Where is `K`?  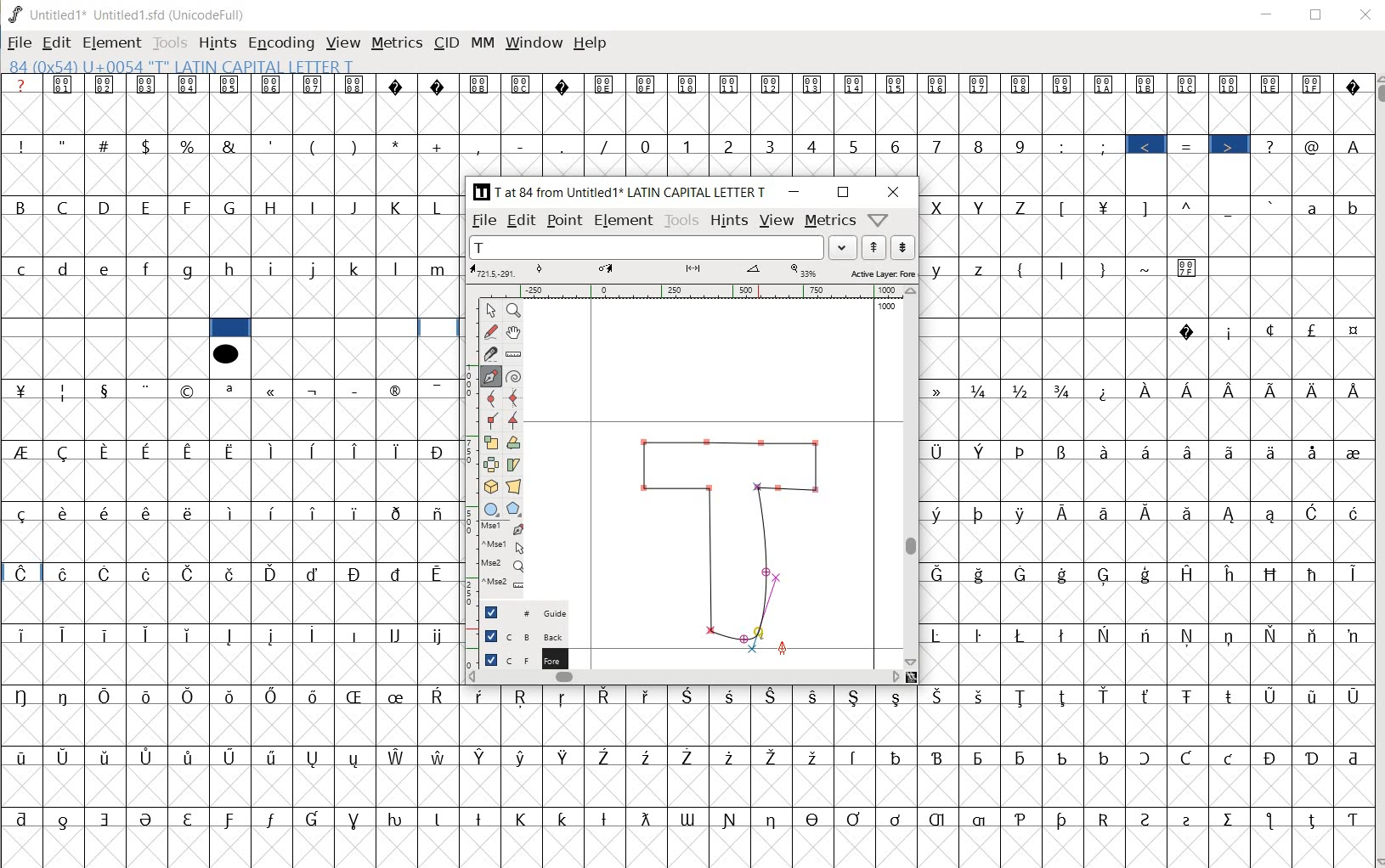
K is located at coordinates (399, 206).